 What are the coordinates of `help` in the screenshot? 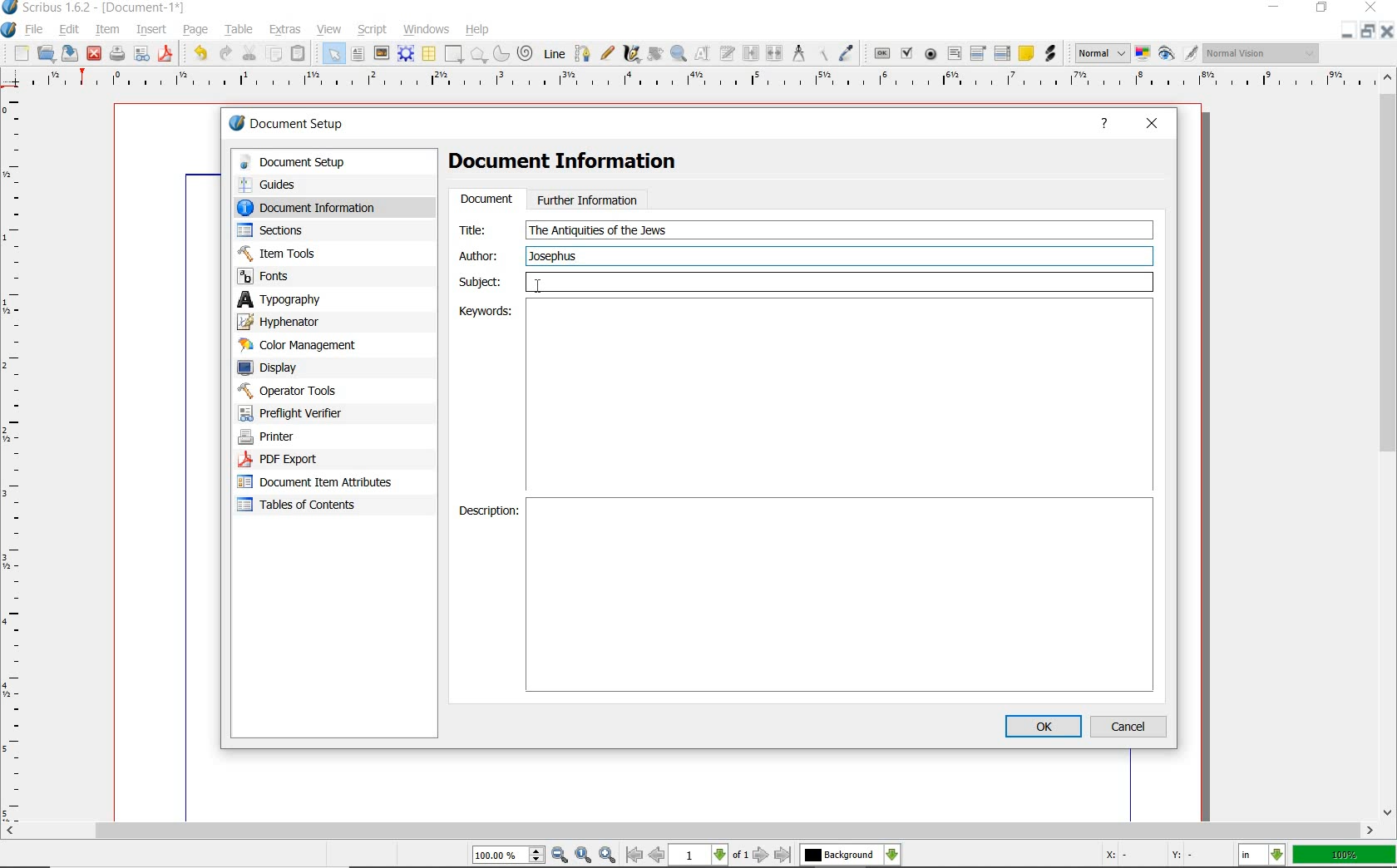 It's located at (480, 28).